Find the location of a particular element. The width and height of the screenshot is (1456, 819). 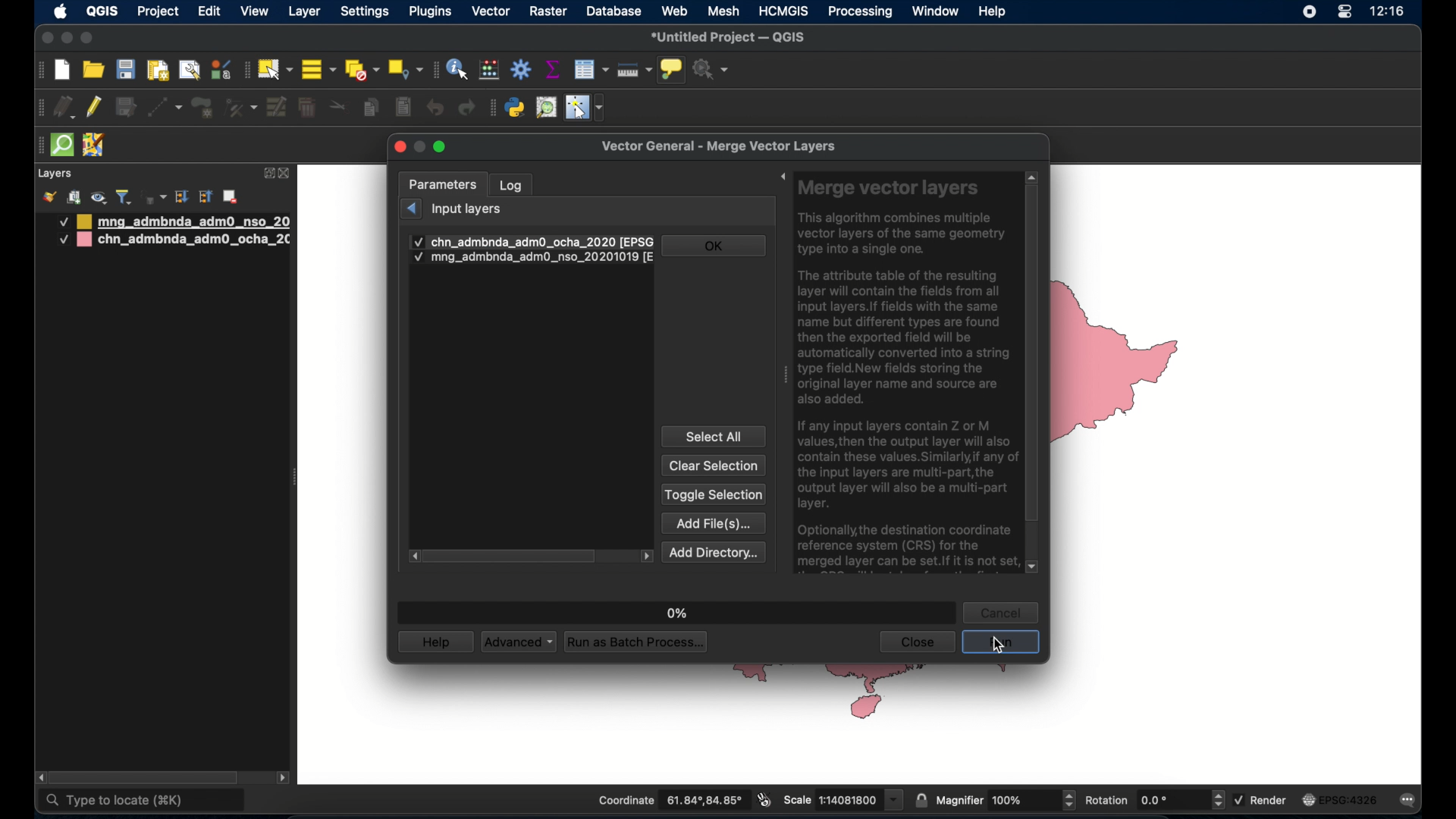

messages is located at coordinates (1410, 802).